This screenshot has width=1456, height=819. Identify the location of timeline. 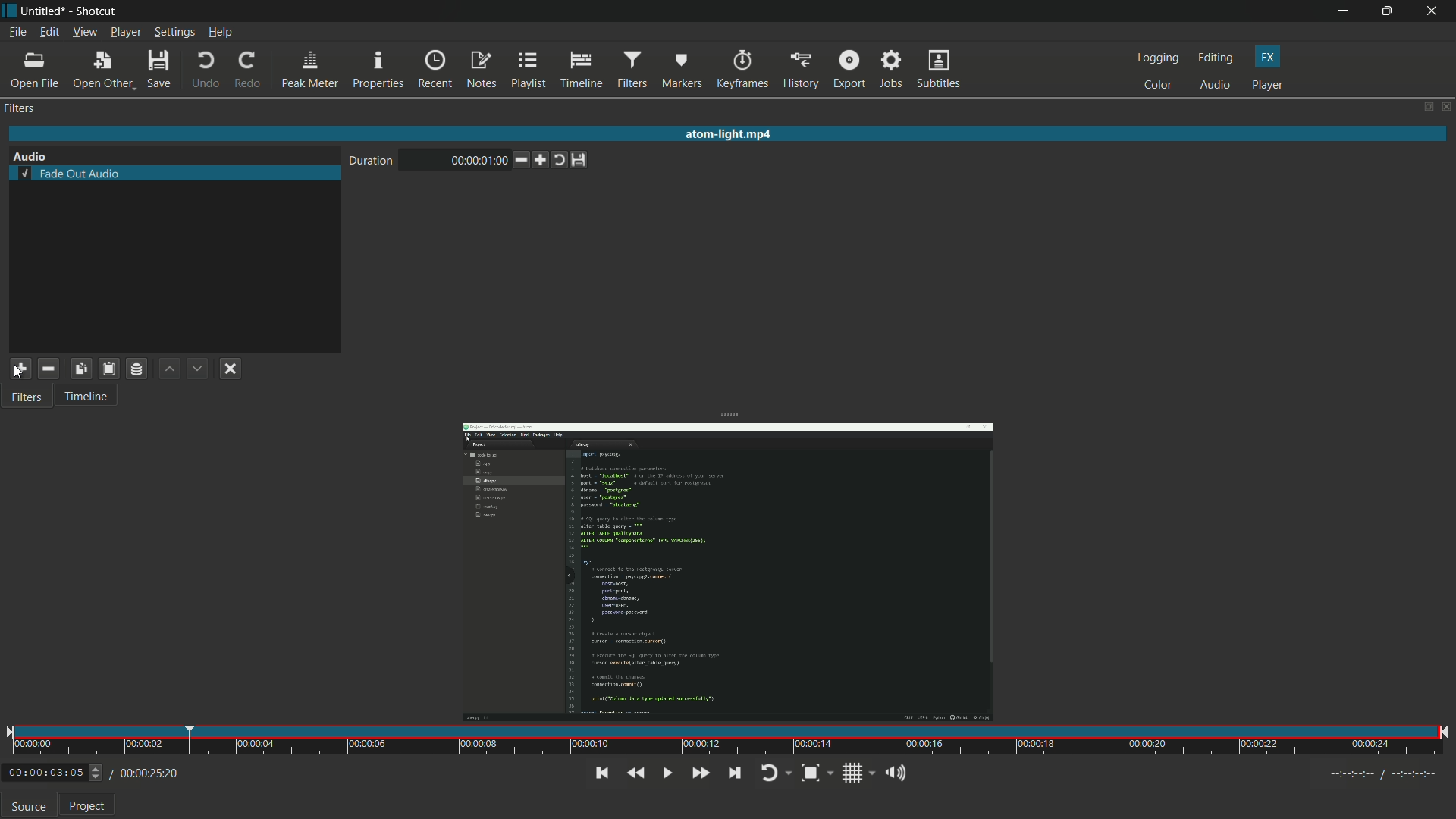
(86, 398).